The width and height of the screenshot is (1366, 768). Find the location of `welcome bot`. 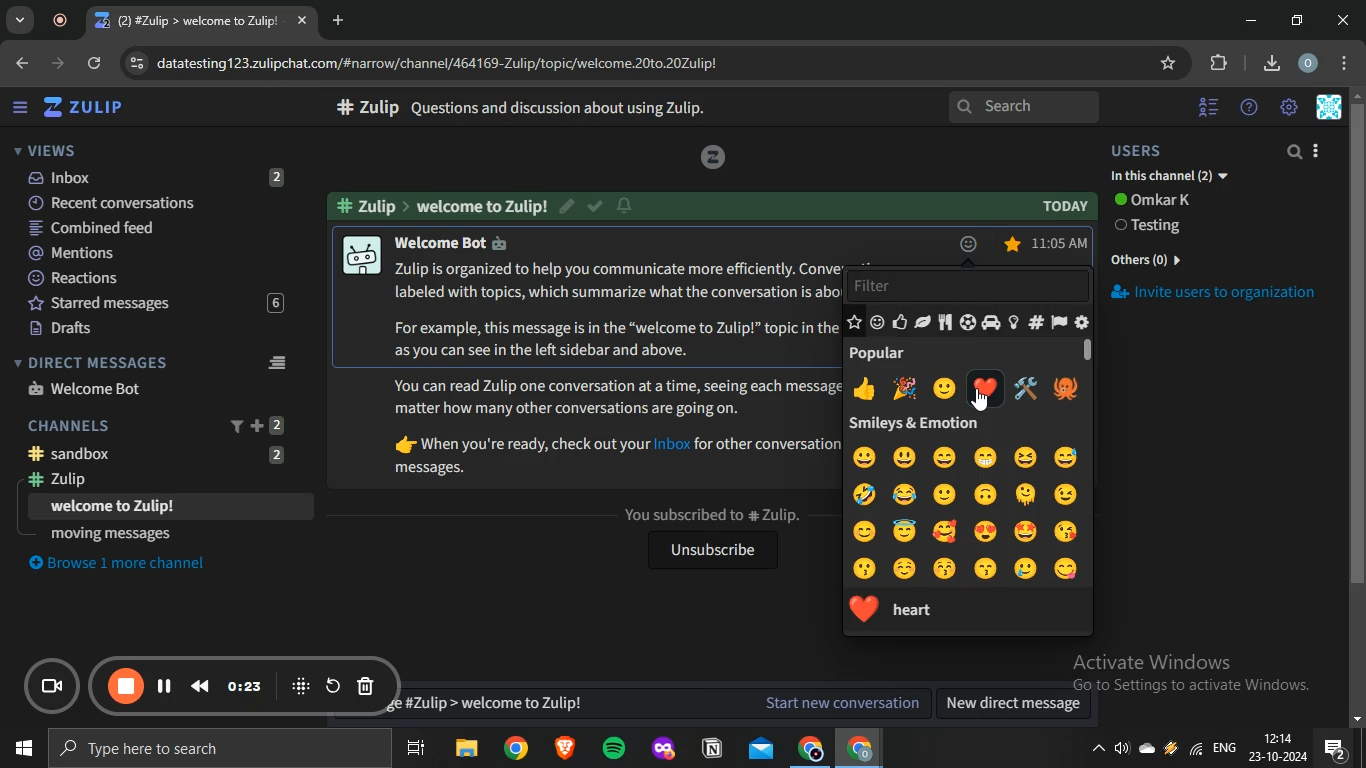

welcome bot is located at coordinates (464, 245).